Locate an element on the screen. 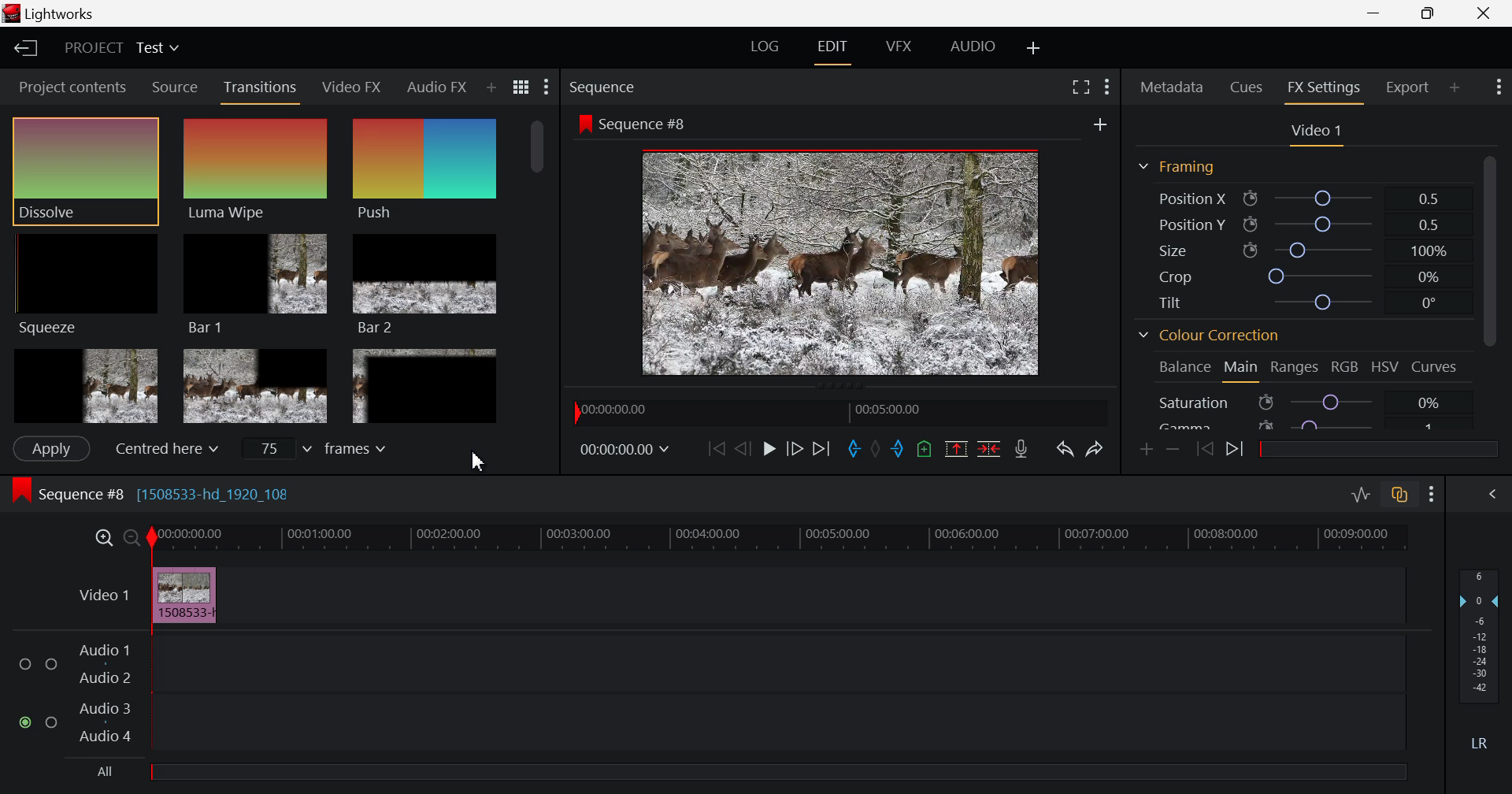 The height and width of the screenshot is (794, 1512). FX Settings is located at coordinates (1322, 90).